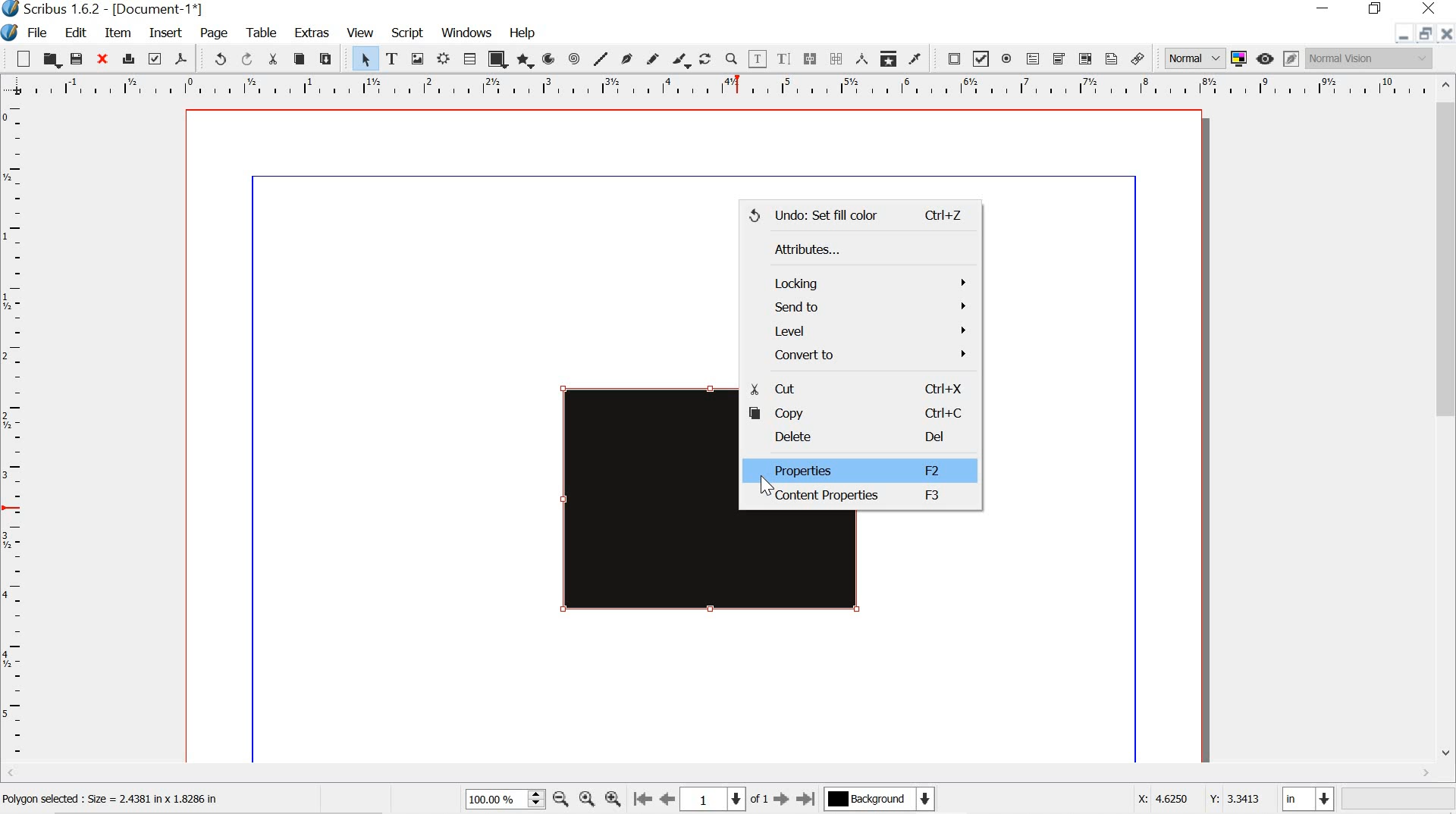  Describe the element at coordinates (118, 800) in the screenshot. I see `Polygon selected : Size = 2.4381 in x 1.8286 in` at that location.